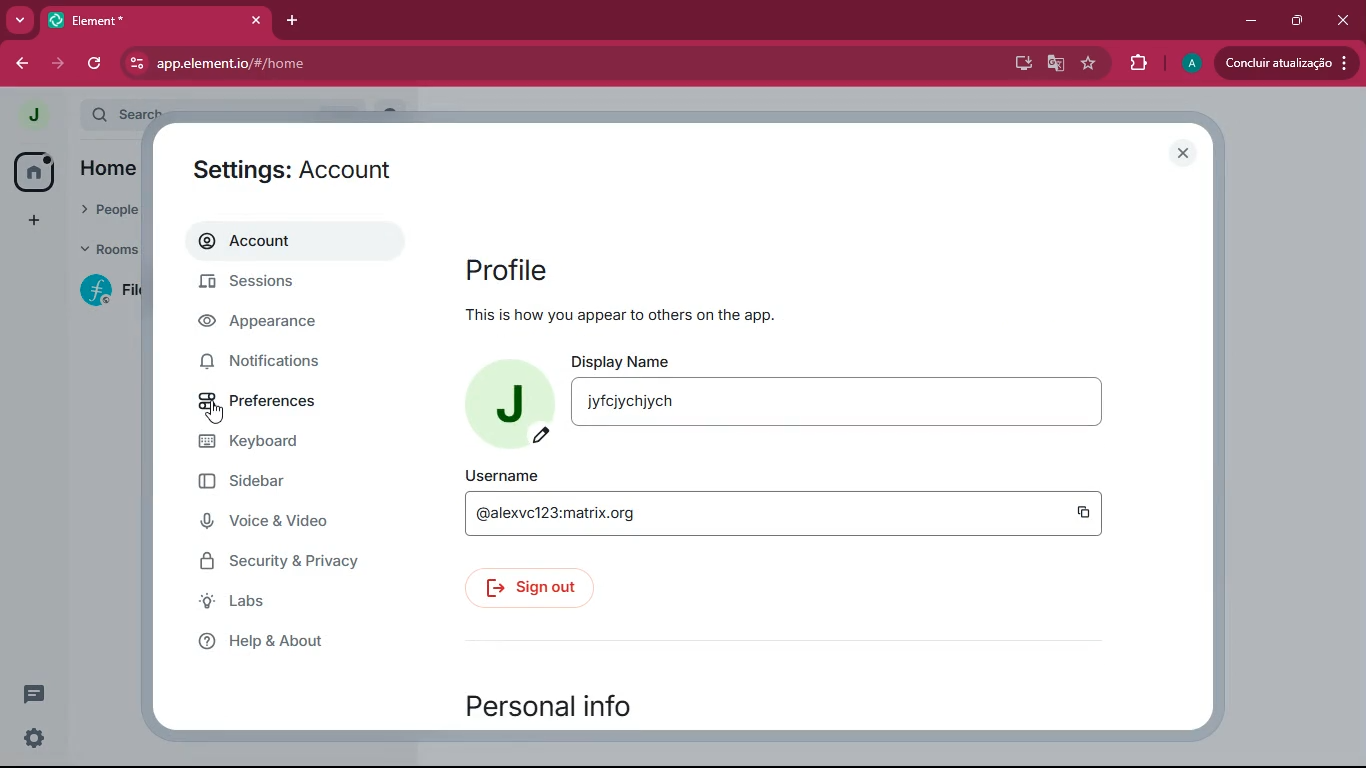 The width and height of the screenshot is (1366, 768). I want to click on favourite, so click(1091, 67).